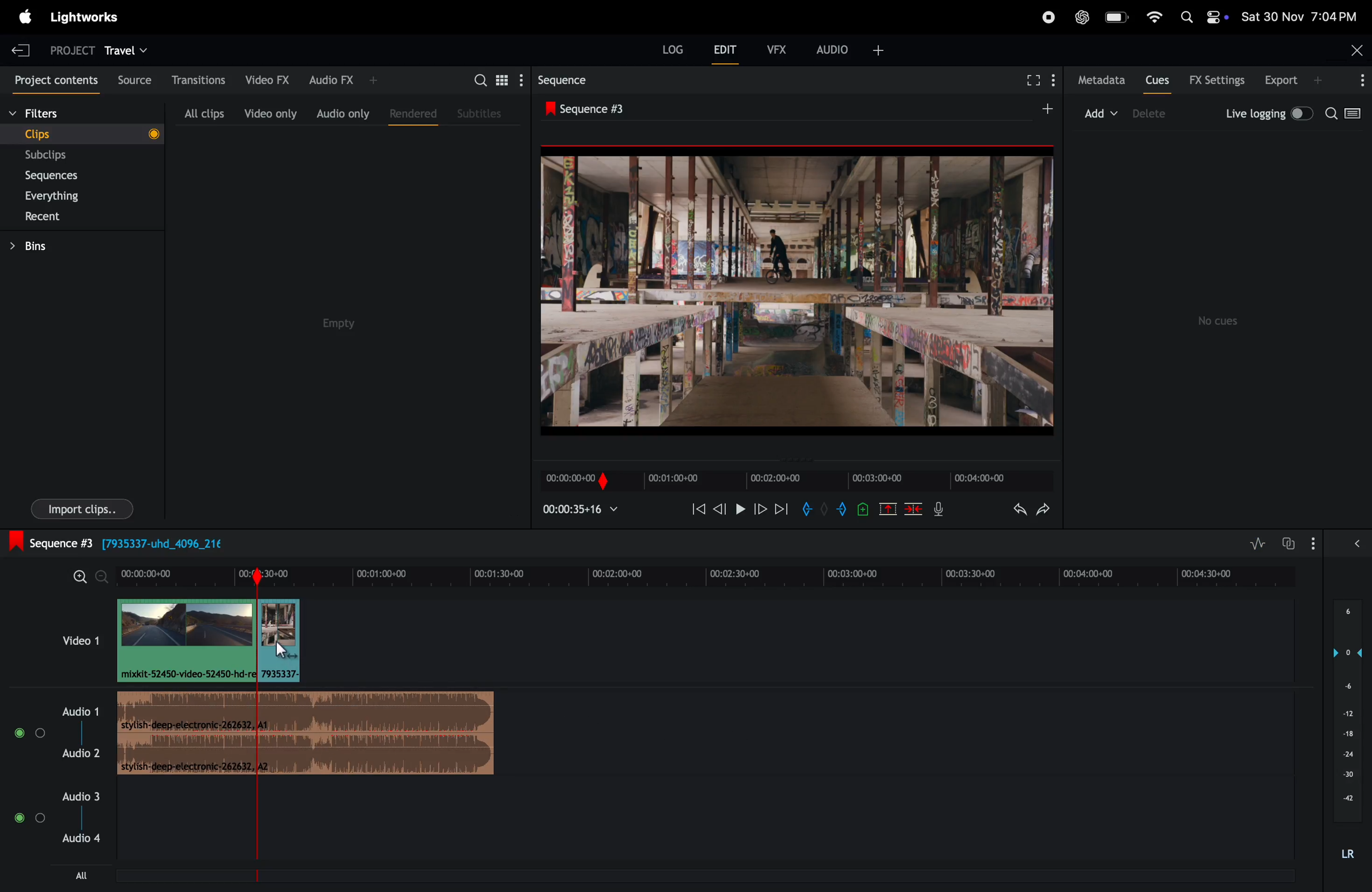  I want to click on -12 (layers), so click(1343, 713).